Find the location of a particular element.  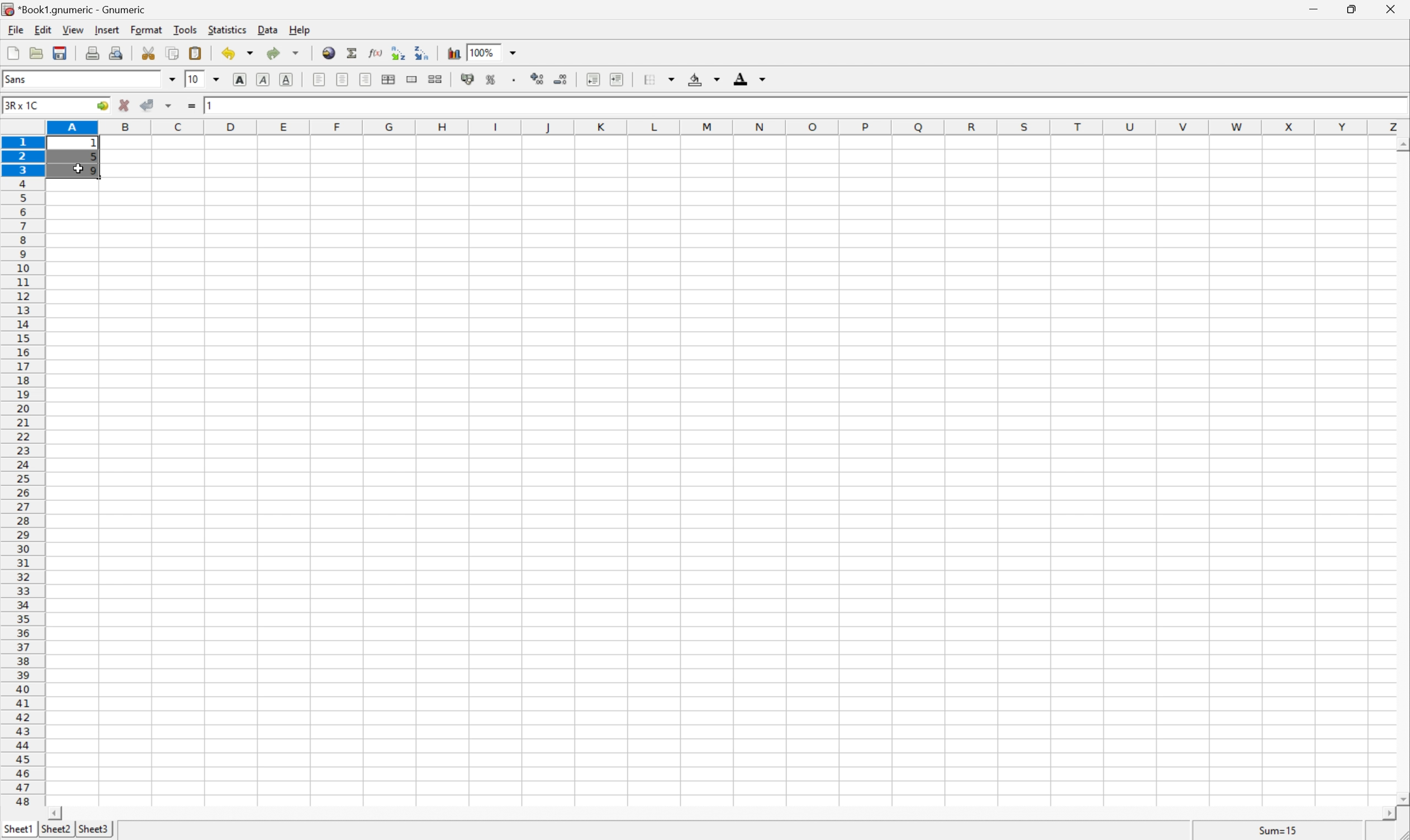

increase number of decimals is located at coordinates (538, 79).